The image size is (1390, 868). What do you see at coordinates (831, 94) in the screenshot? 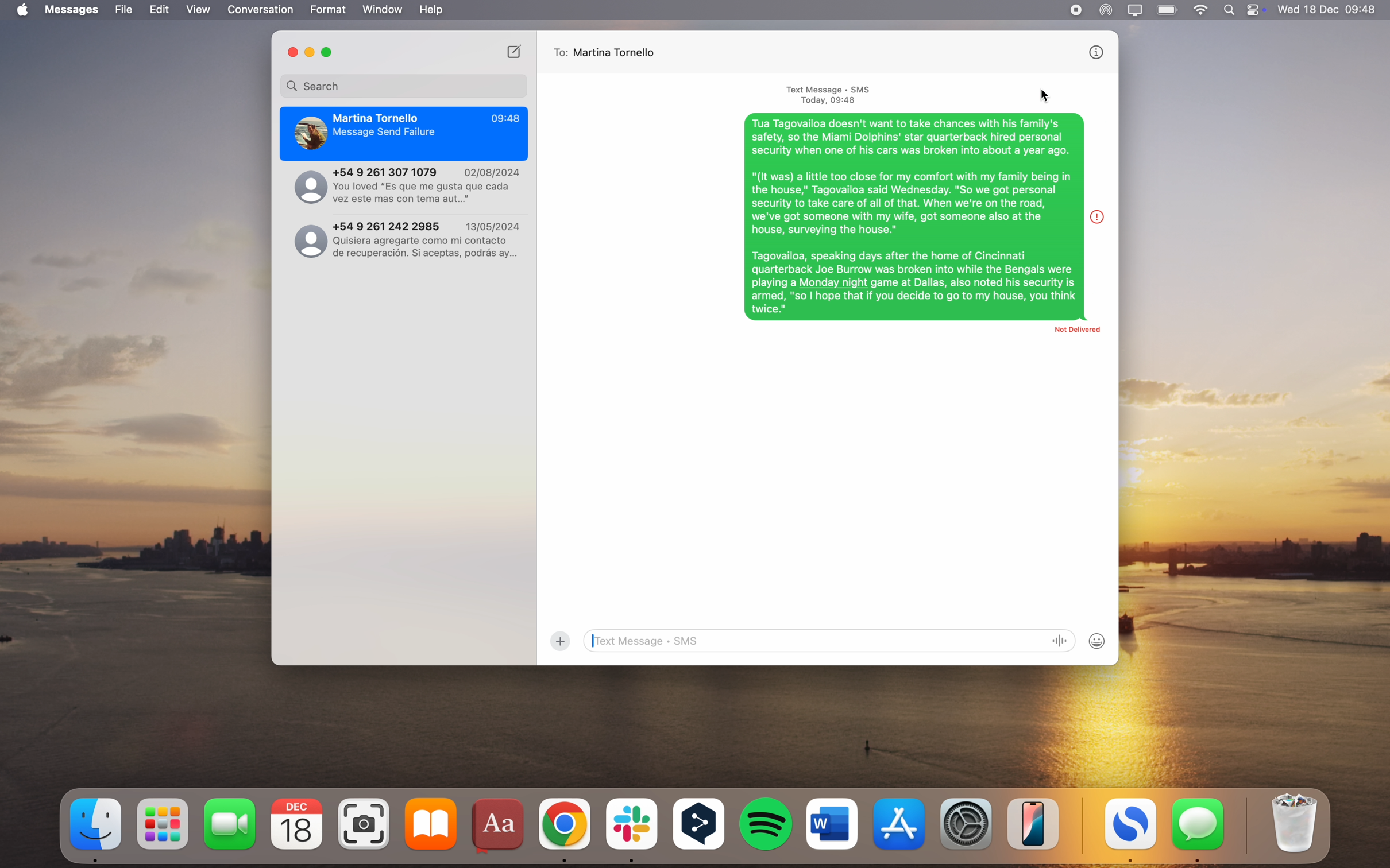
I see `text message` at bounding box center [831, 94].